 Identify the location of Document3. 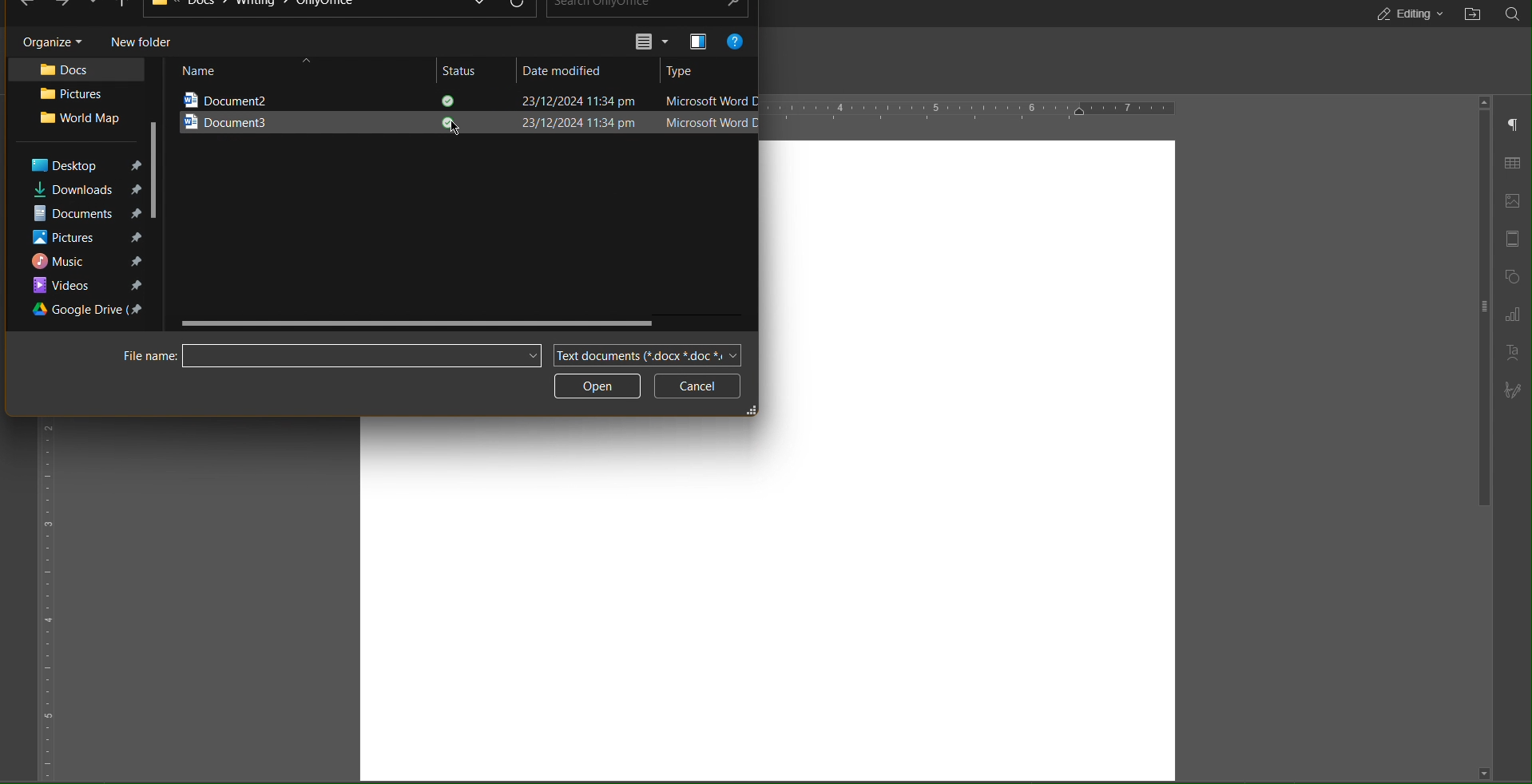
(279, 122).